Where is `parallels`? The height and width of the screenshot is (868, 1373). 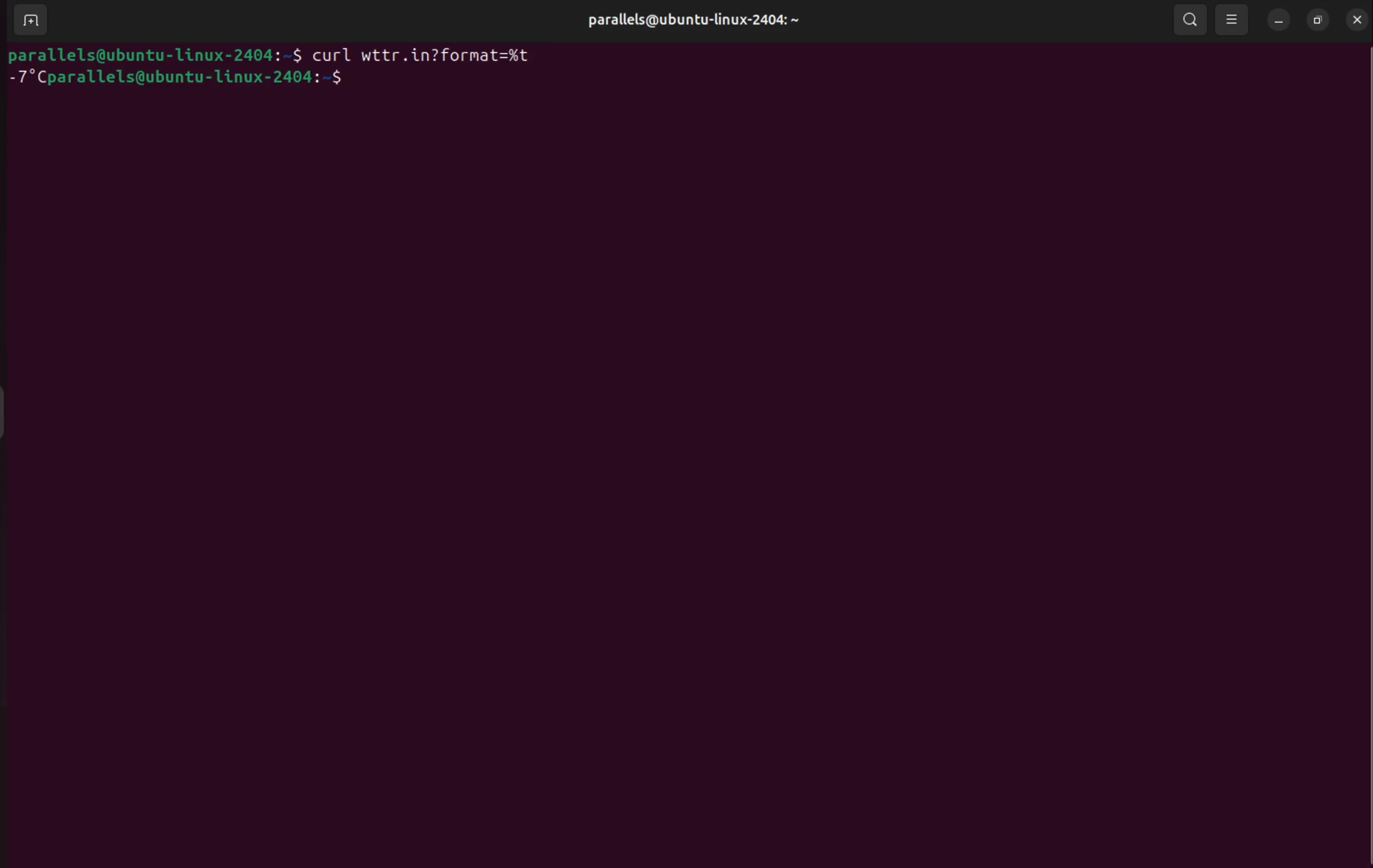
parallels is located at coordinates (698, 21).